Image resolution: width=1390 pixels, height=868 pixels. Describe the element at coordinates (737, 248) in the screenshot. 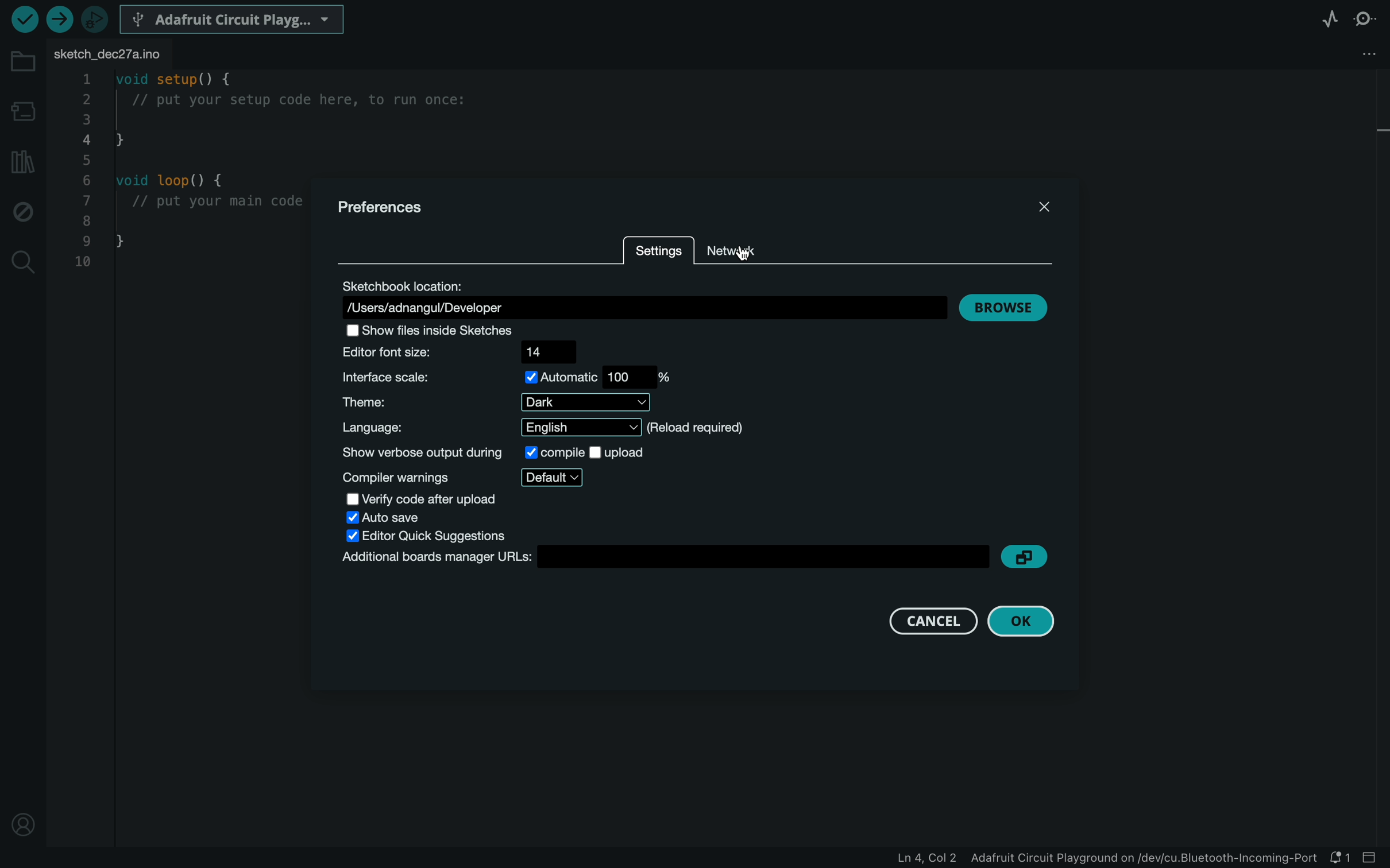

I see `network` at that location.